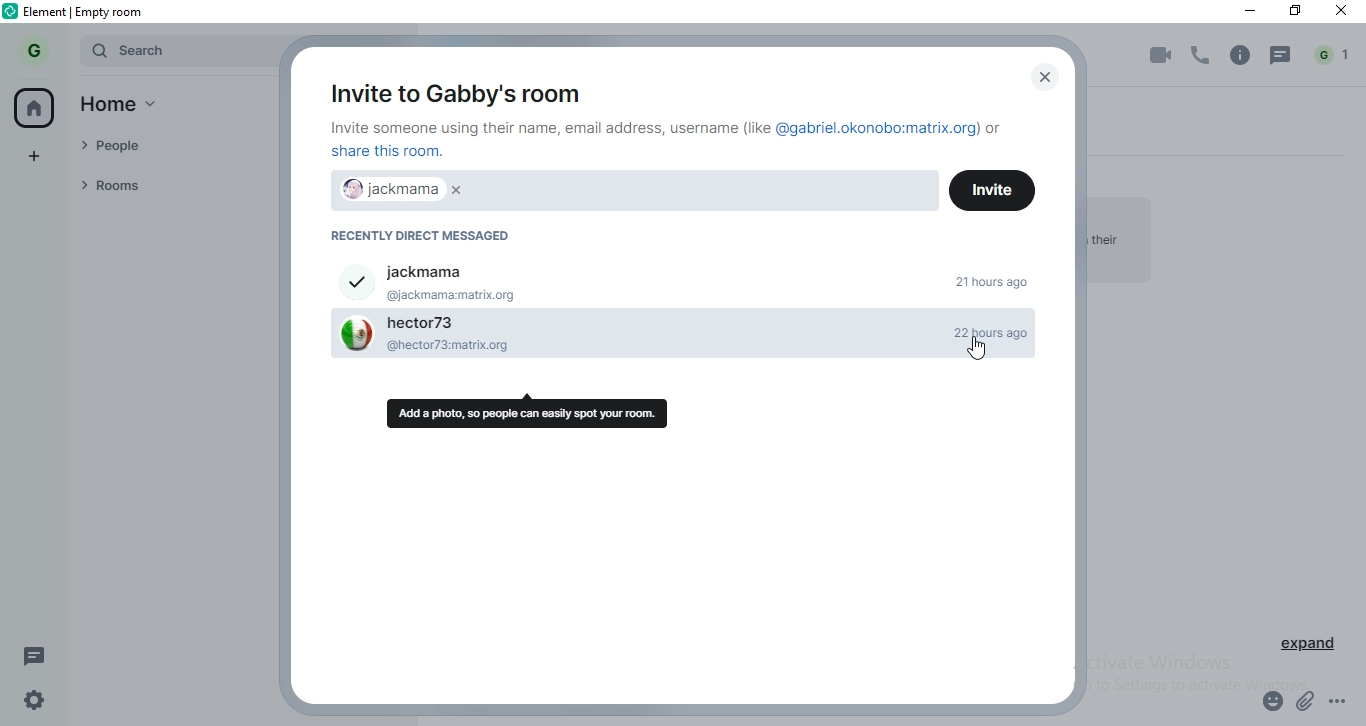 Image resolution: width=1366 pixels, height=726 pixels. Describe the element at coordinates (129, 107) in the screenshot. I see `home` at that location.